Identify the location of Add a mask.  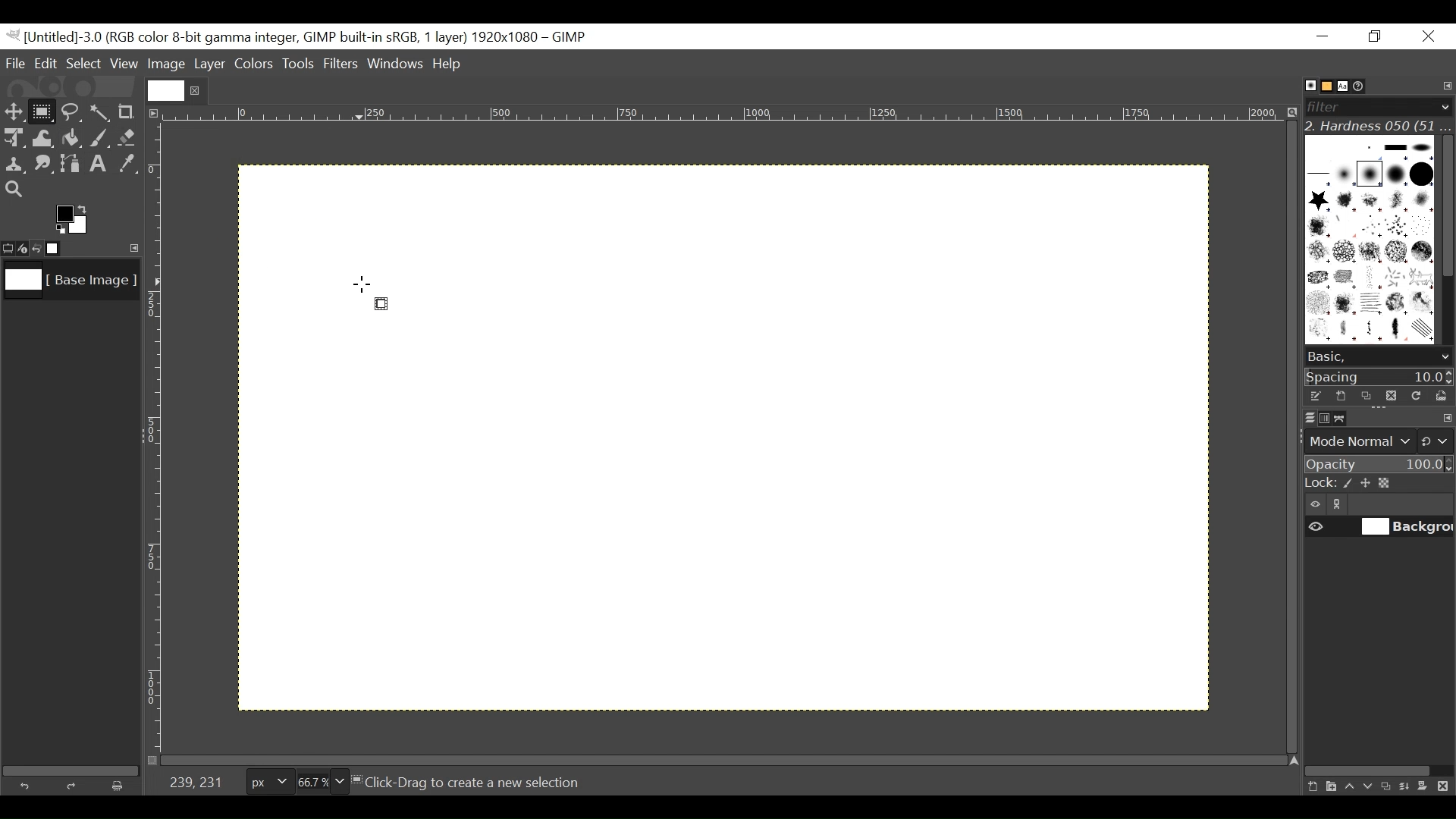
(1427, 789).